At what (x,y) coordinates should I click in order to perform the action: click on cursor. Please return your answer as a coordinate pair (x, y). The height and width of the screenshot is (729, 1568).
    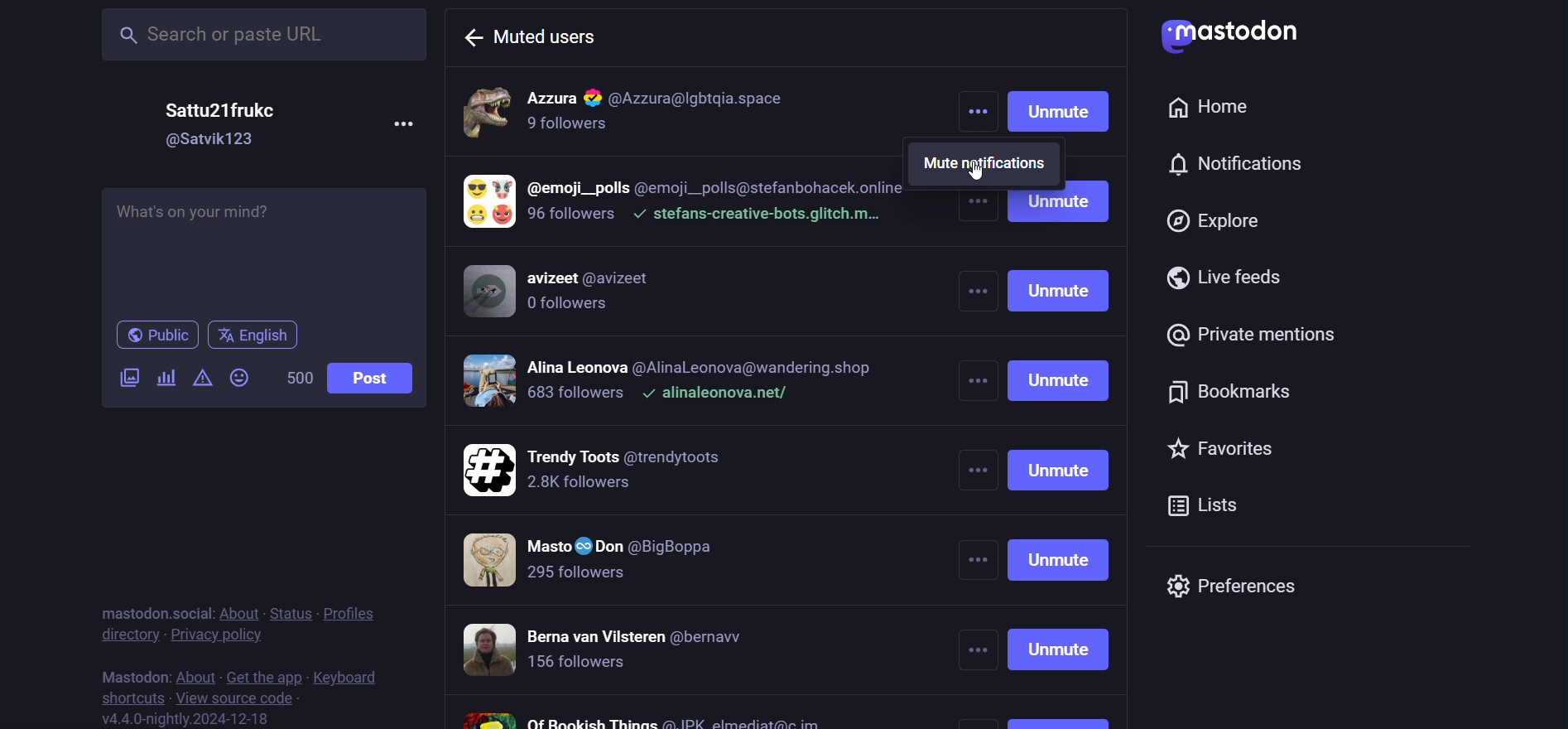
    Looking at the image, I should click on (980, 177).